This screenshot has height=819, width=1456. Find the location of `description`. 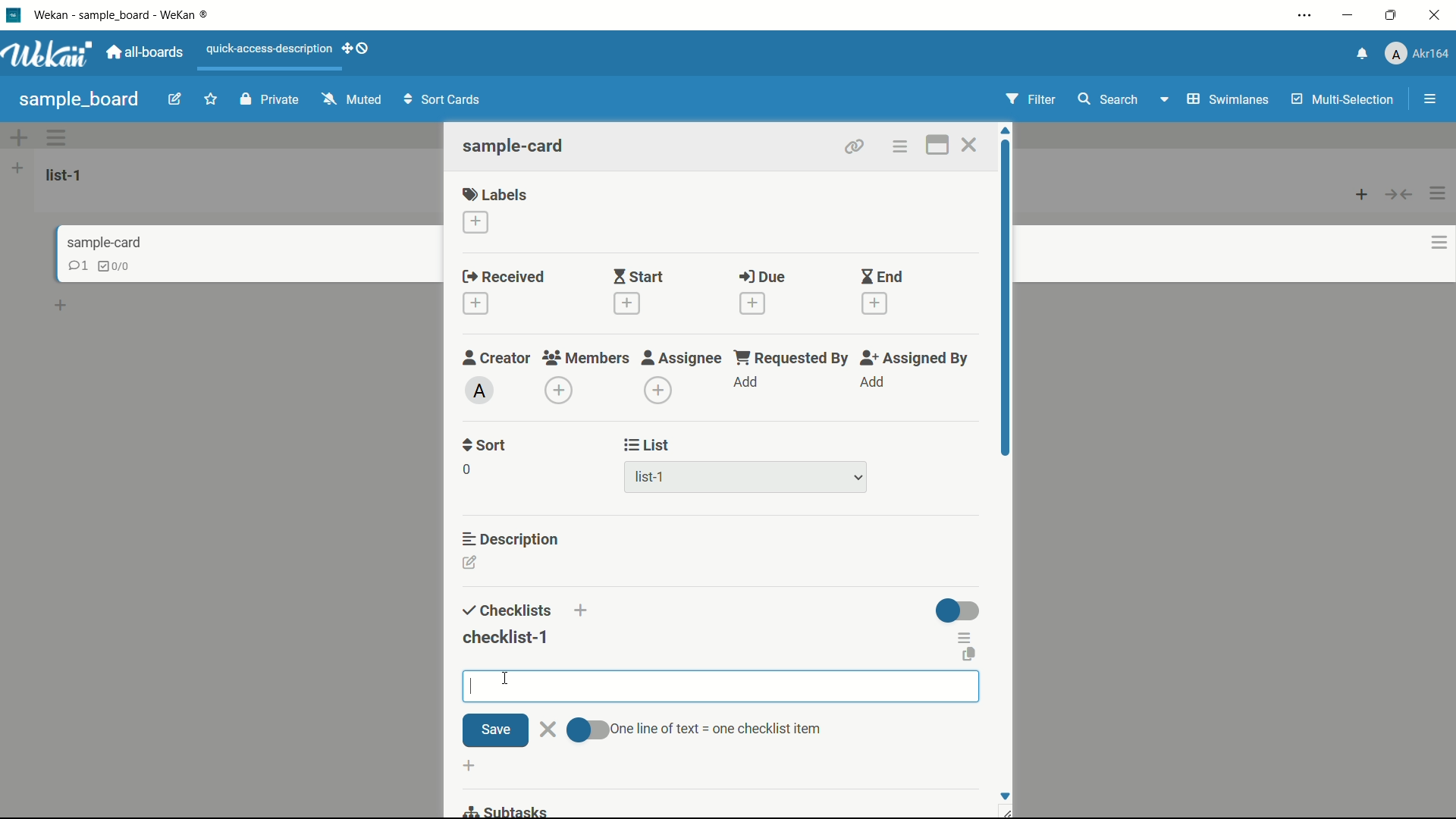

description is located at coordinates (515, 539).